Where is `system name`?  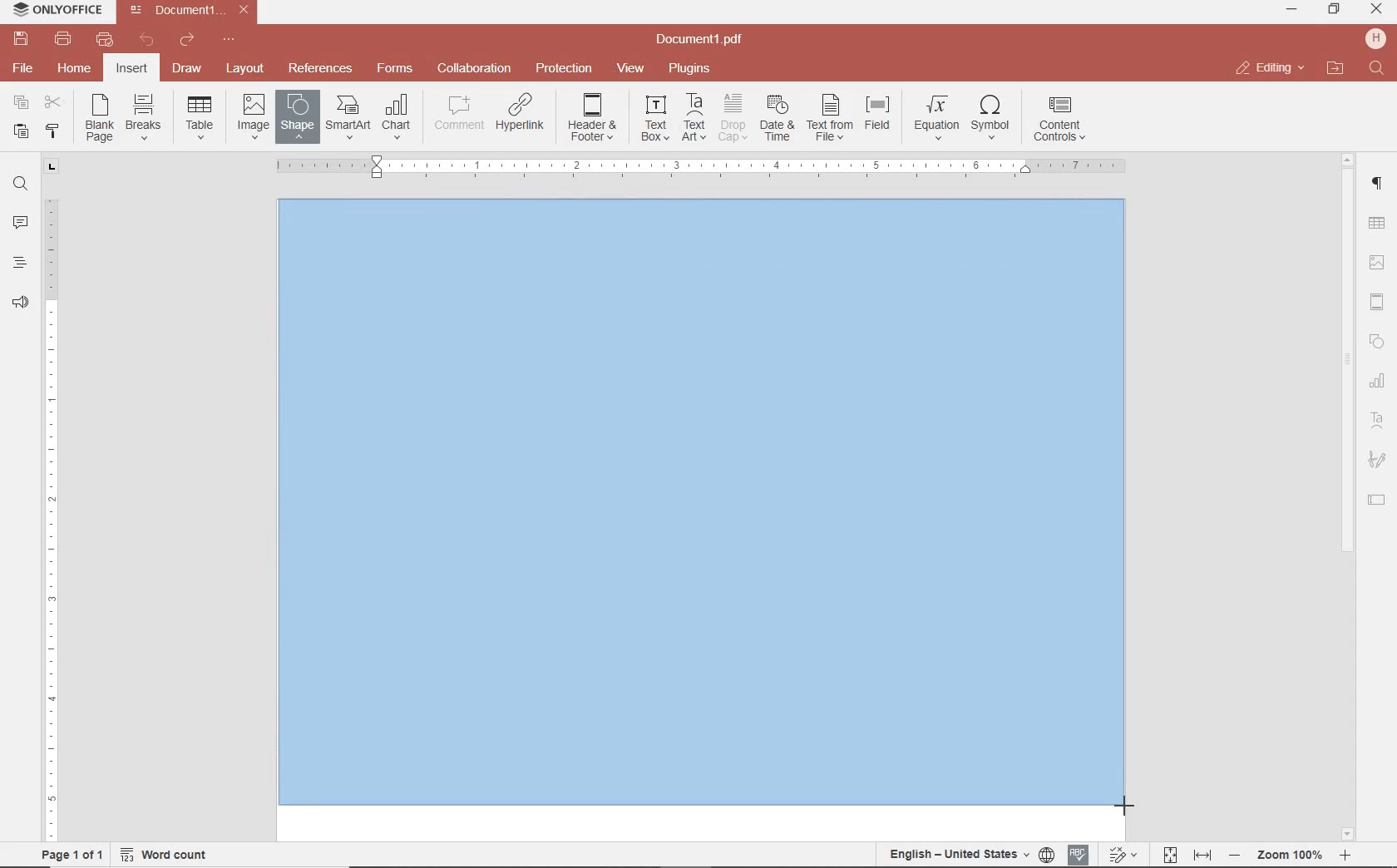
system name is located at coordinates (53, 11).